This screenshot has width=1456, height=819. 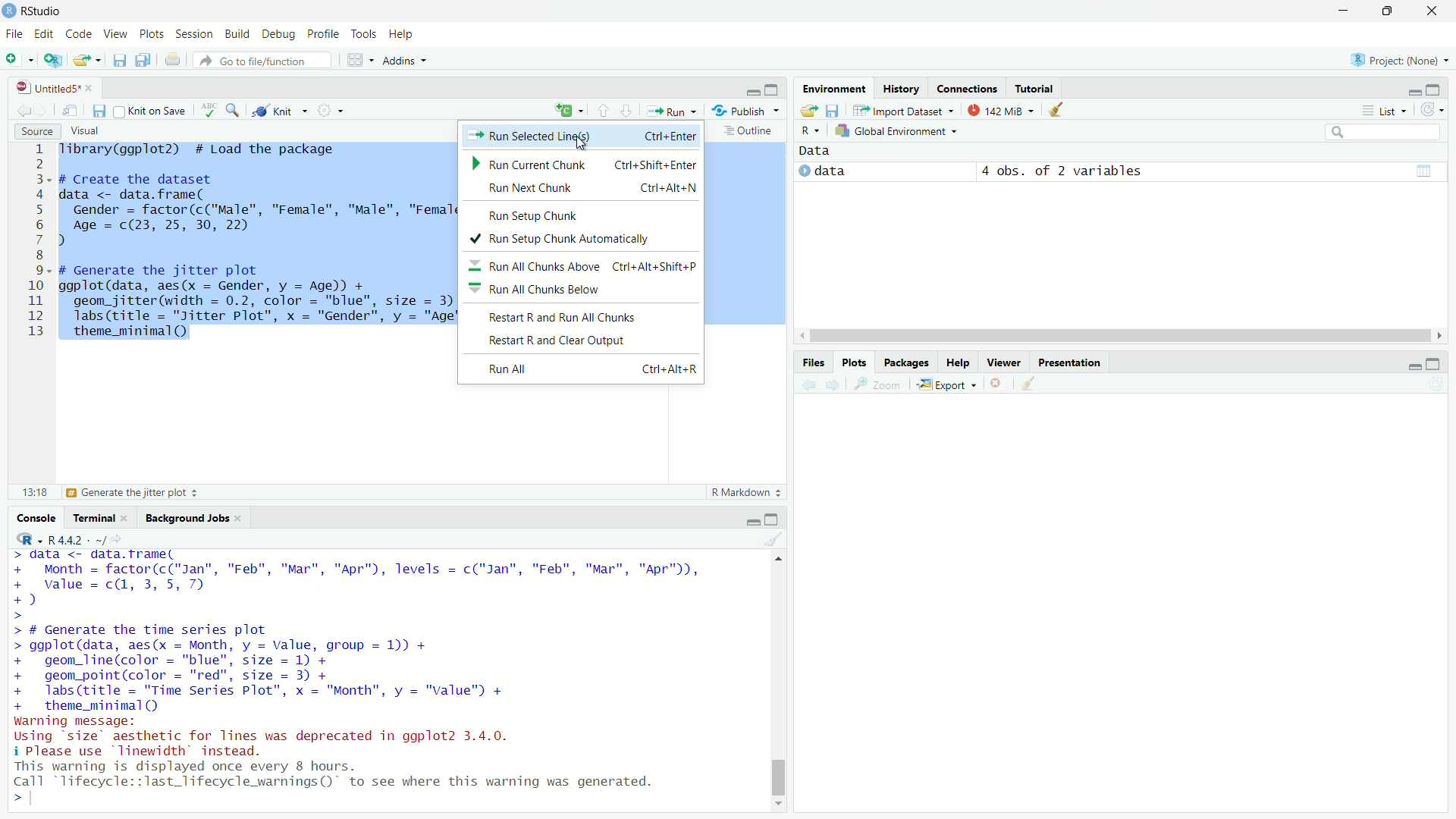 What do you see at coordinates (835, 385) in the screenshot?
I see `next plot` at bounding box center [835, 385].